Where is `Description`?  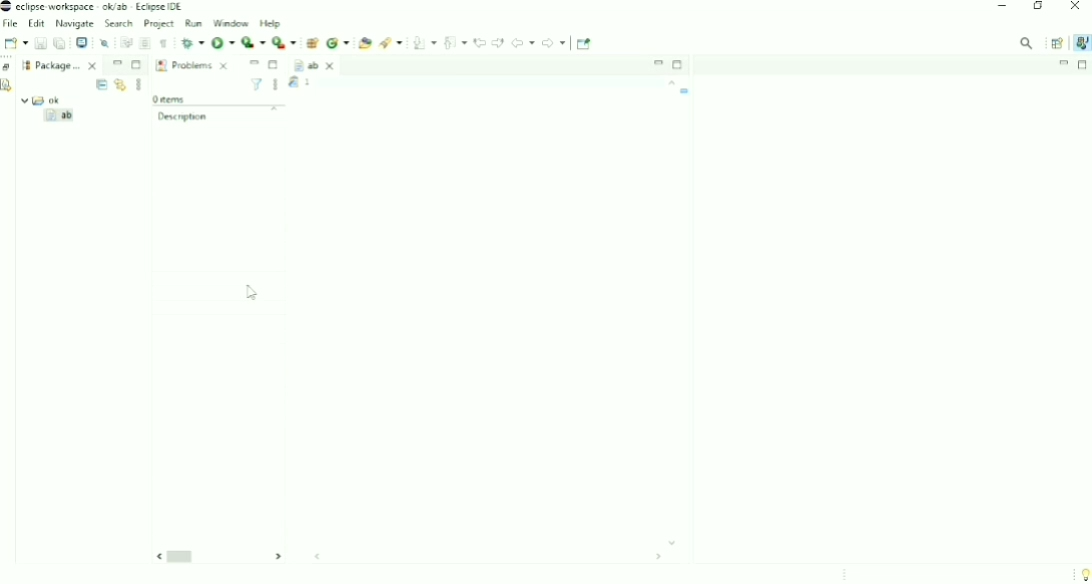 Description is located at coordinates (218, 114).